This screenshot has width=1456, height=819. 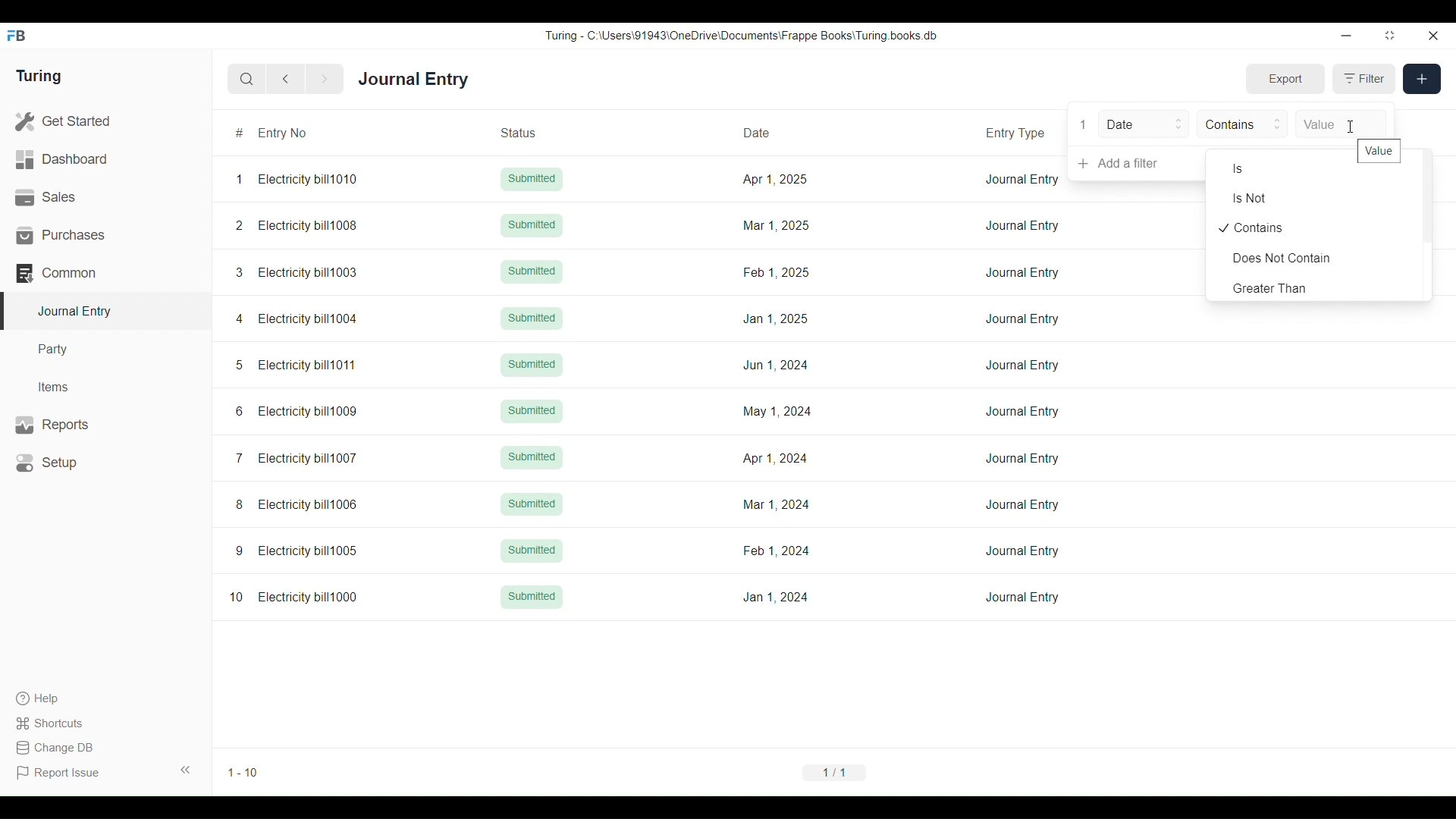 What do you see at coordinates (106, 463) in the screenshot?
I see `Setup` at bounding box center [106, 463].